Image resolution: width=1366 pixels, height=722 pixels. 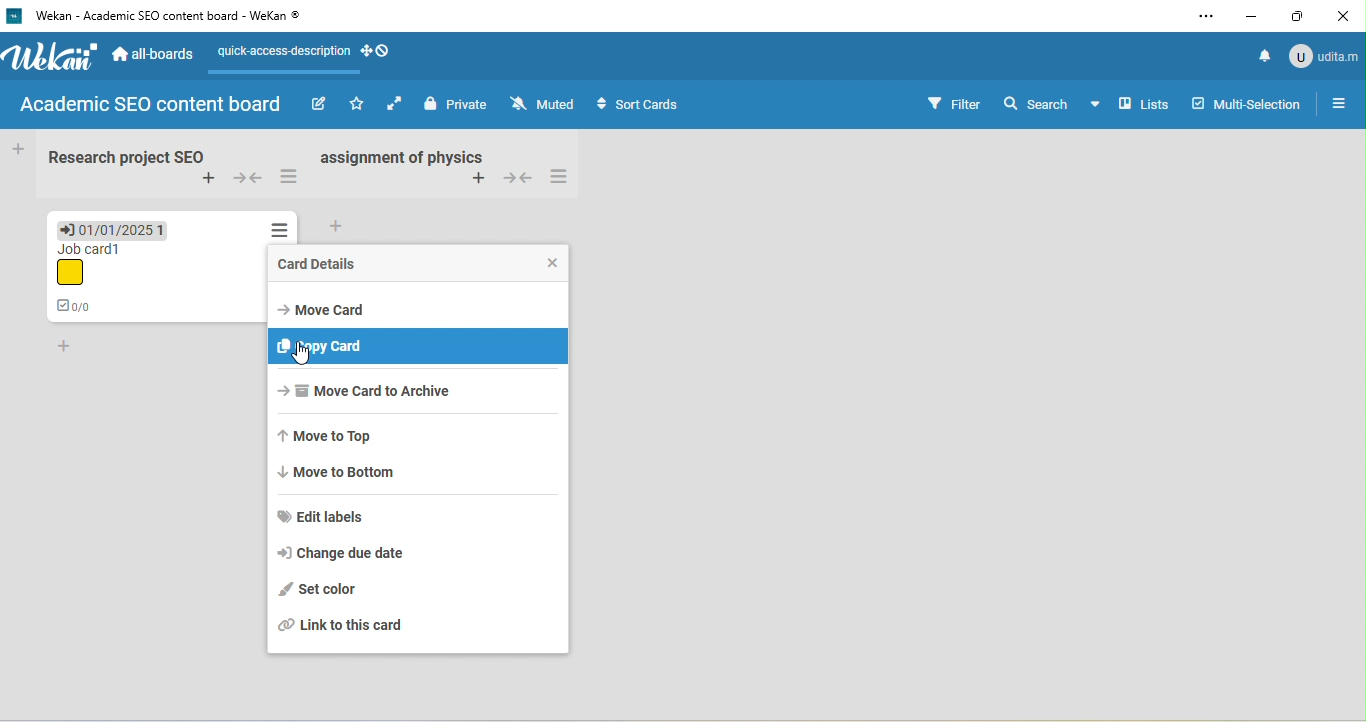 I want to click on move card to archive, so click(x=381, y=396).